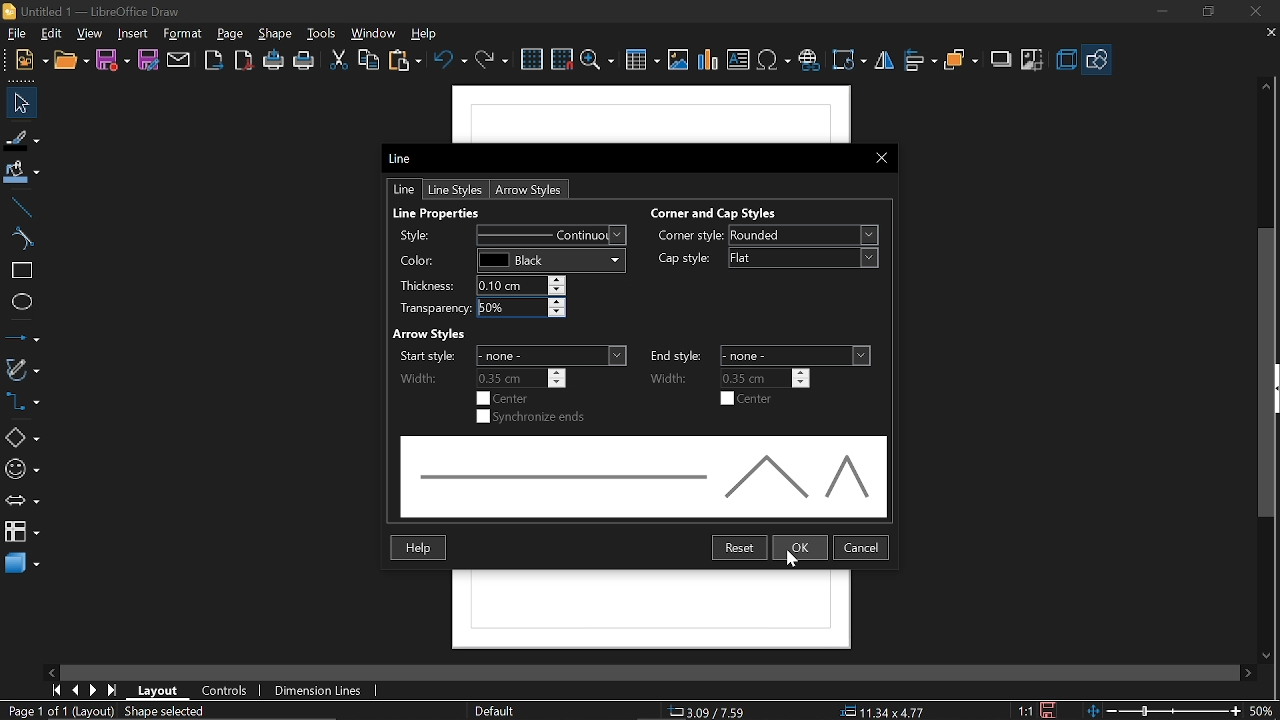  Describe the element at coordinates (738, 57) in the screenshot. I see `Insert text` at that location.